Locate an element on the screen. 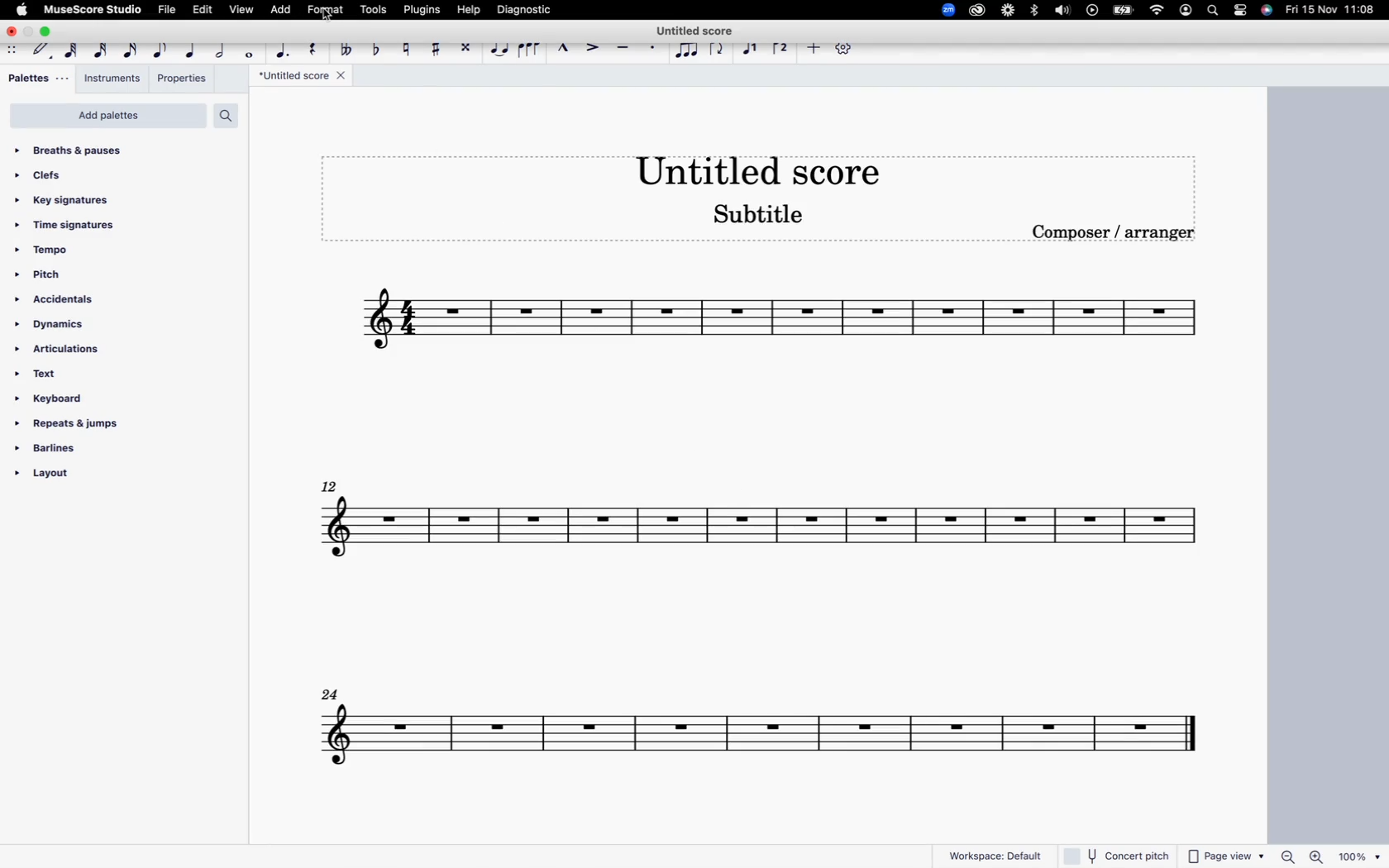 This screenshot has width=1389, height=868. date and time is located at coordinates (1333, 9).